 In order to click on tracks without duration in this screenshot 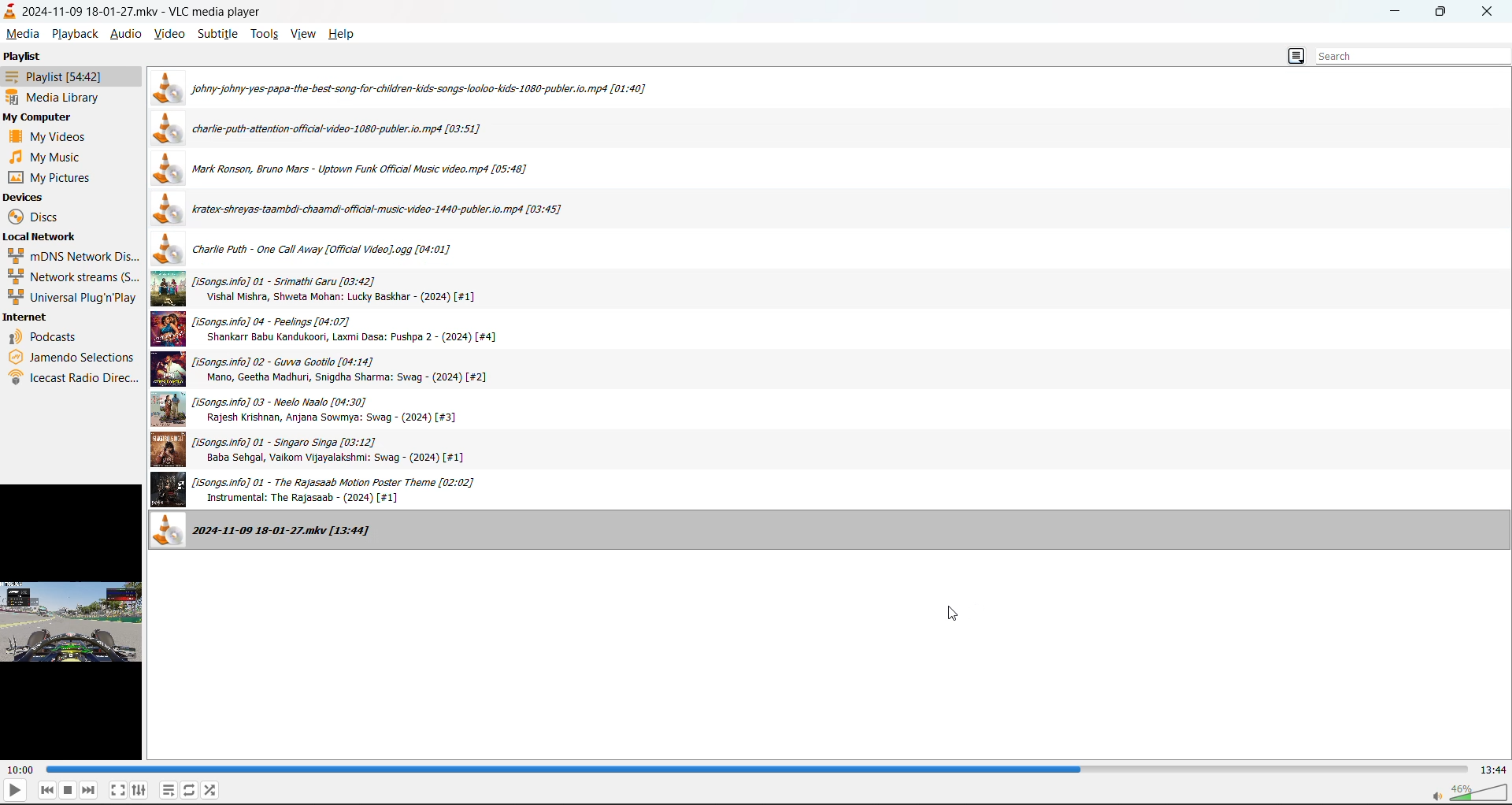, I will do `click(326, 370)`.